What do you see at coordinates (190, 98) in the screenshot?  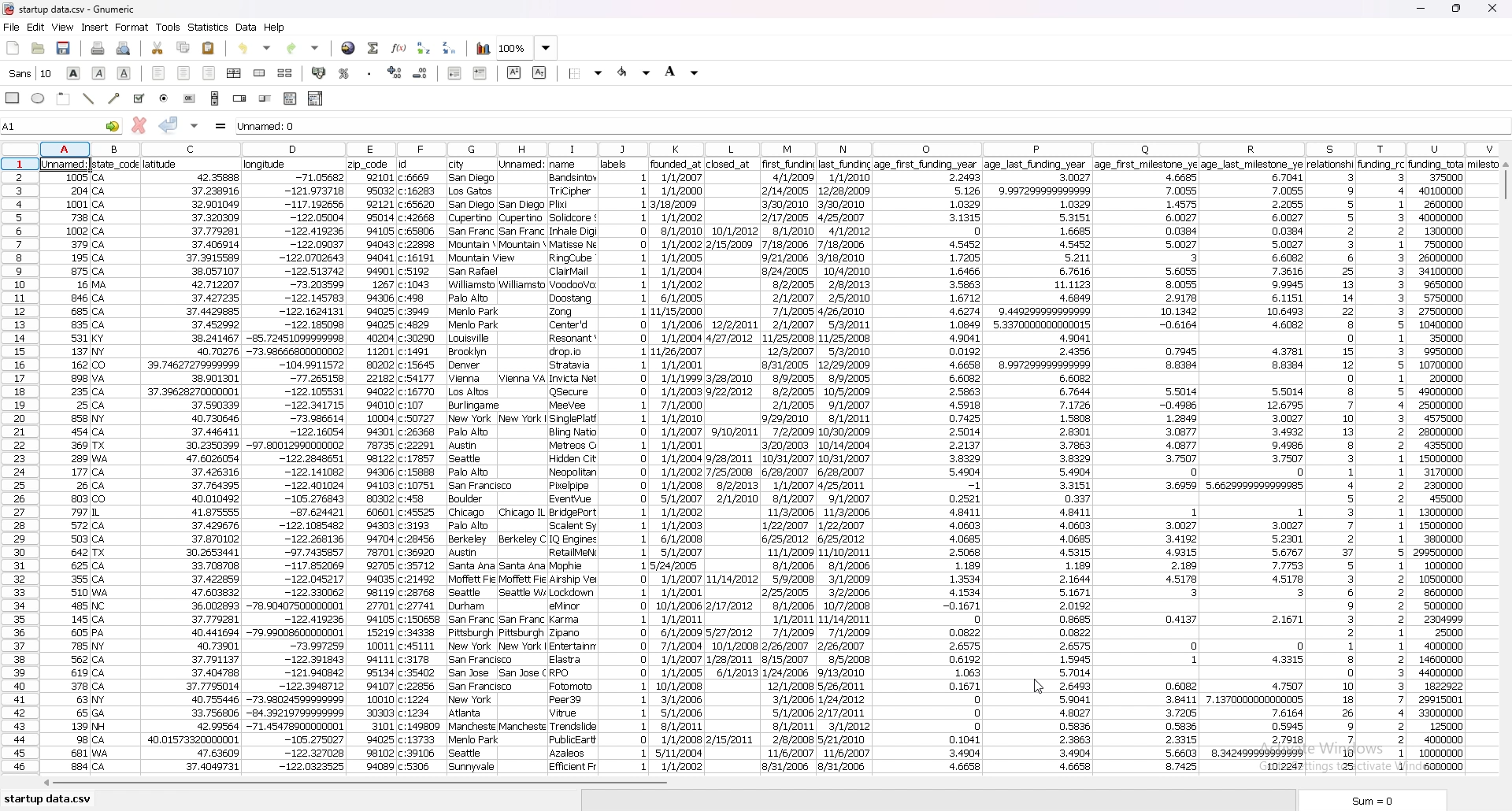 I see `button` at bounding box center [190, 98].